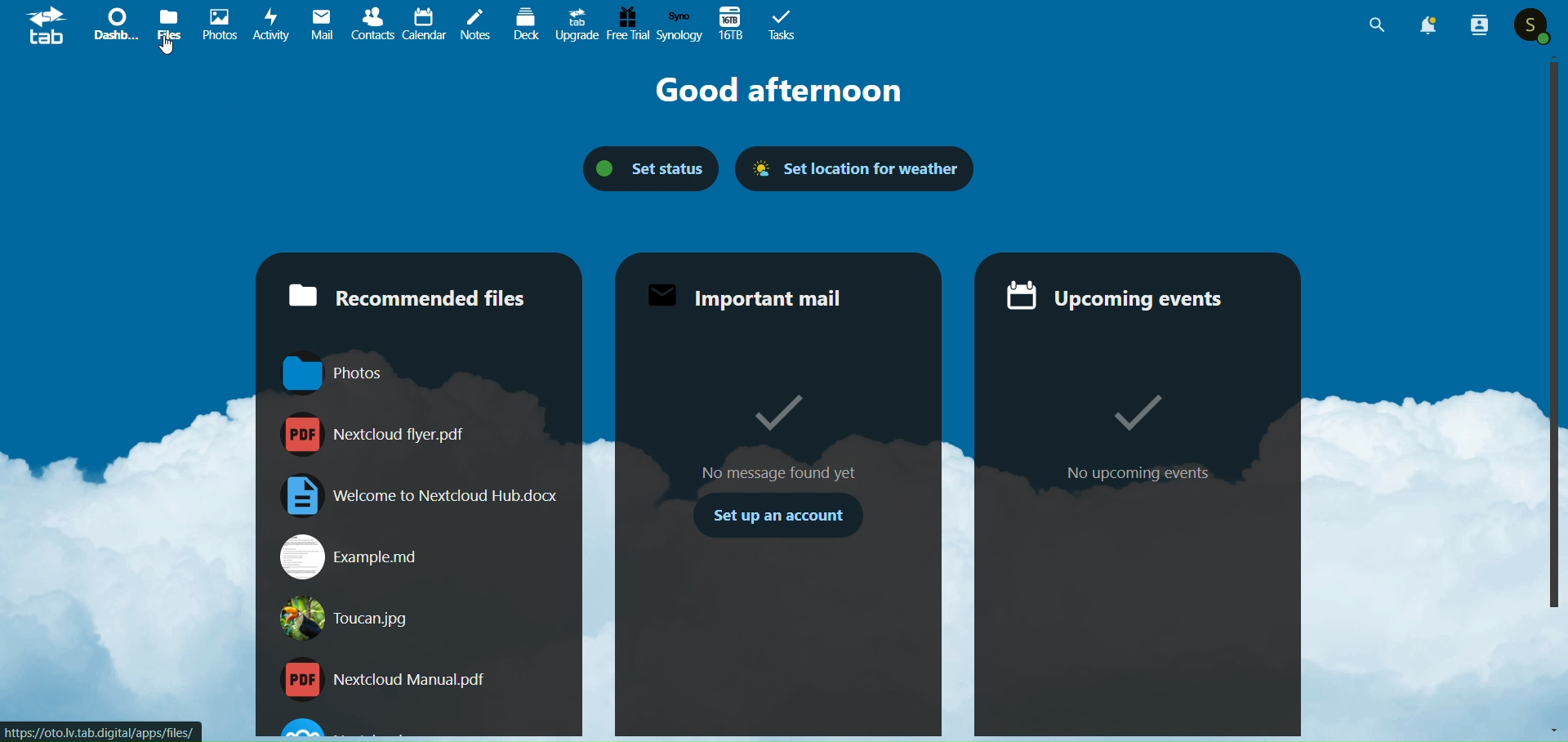  What do you see at coordinates (421, 435) in the screenshot?
I see `Nextcloud flyer.pdf` at bounding box center [421, 435].